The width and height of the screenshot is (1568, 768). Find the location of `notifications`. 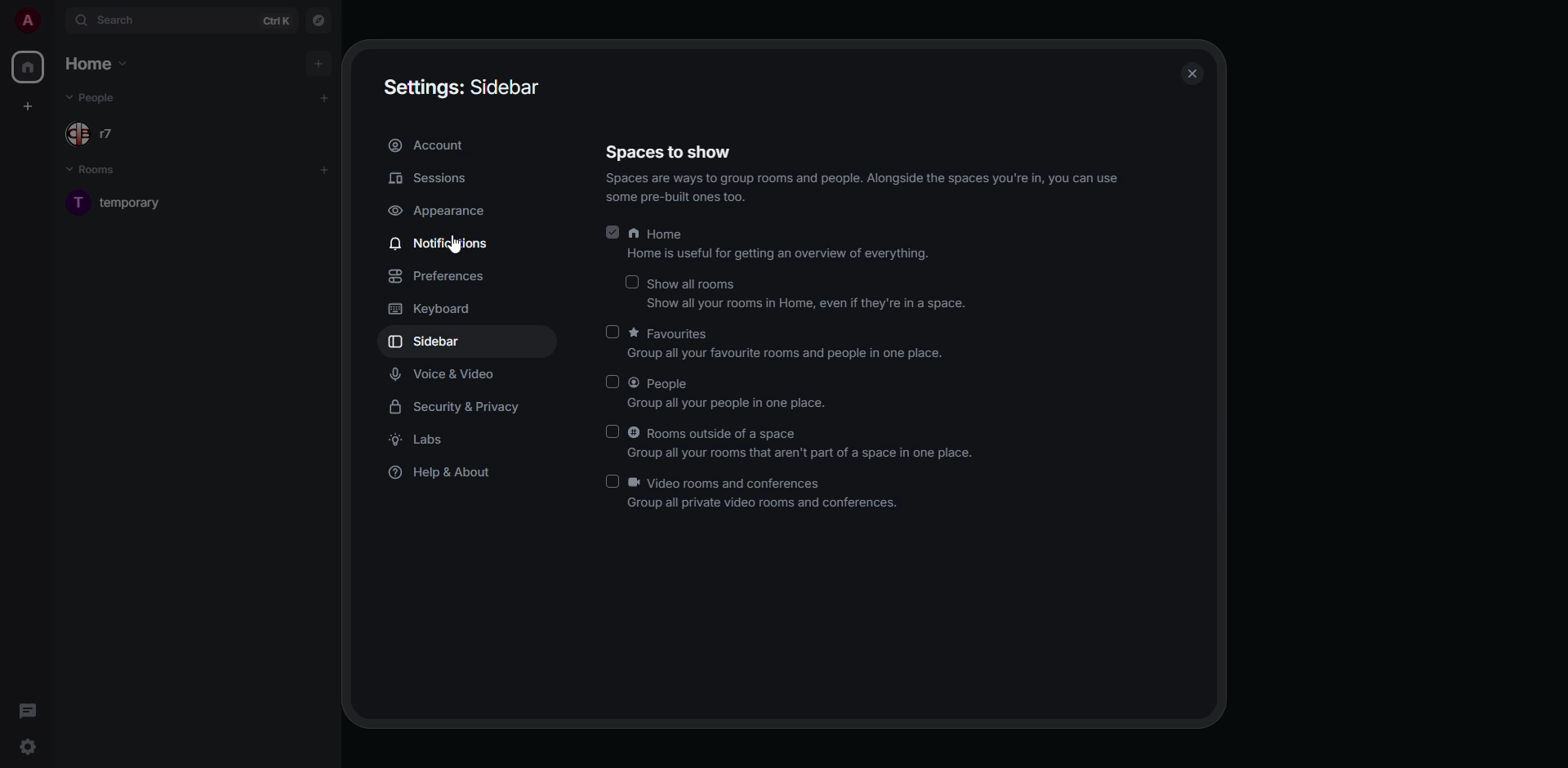

notifications is located at coordinates (439, 244).